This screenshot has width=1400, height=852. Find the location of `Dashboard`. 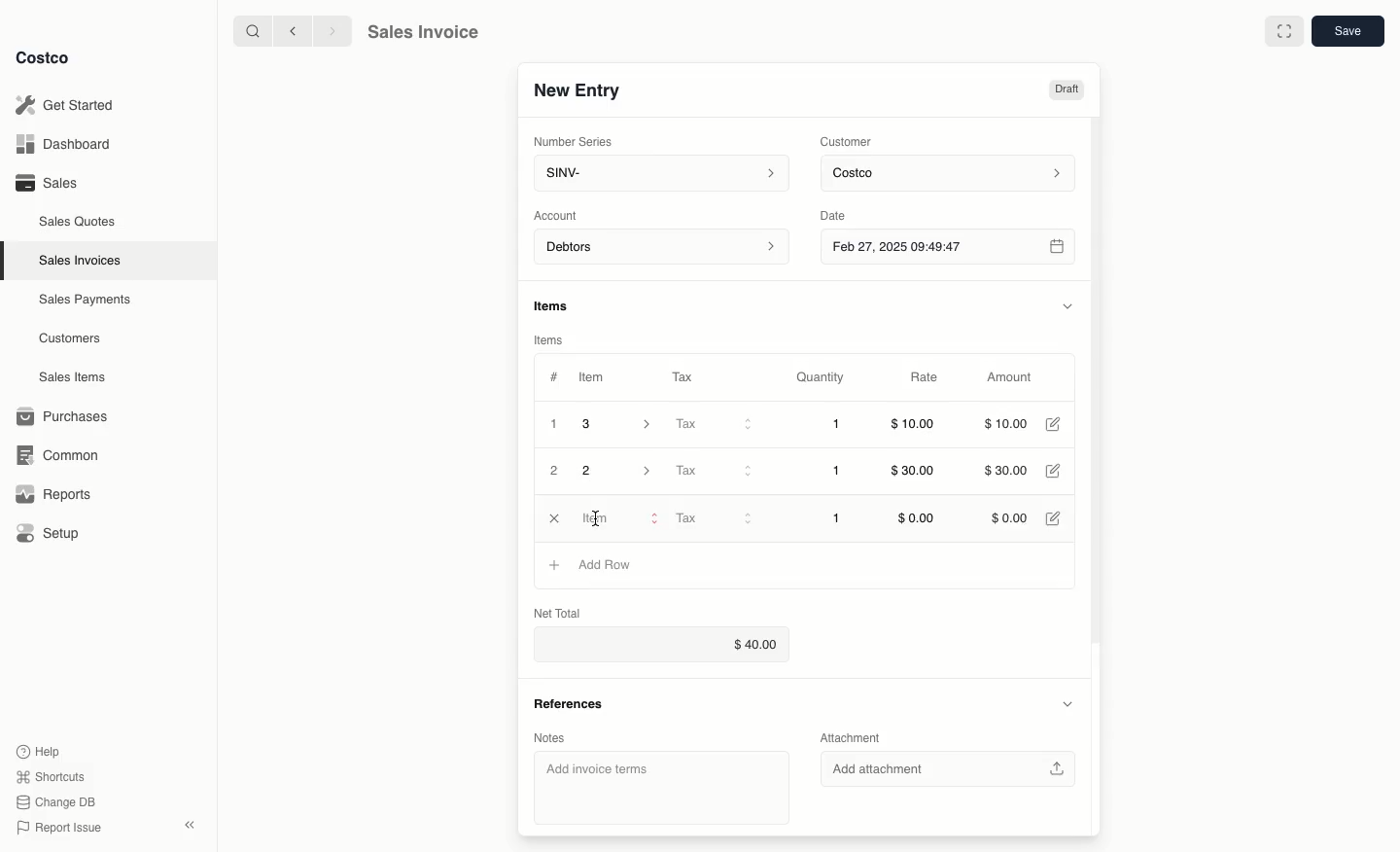

Dashboard is located at coordinates (68, 145).